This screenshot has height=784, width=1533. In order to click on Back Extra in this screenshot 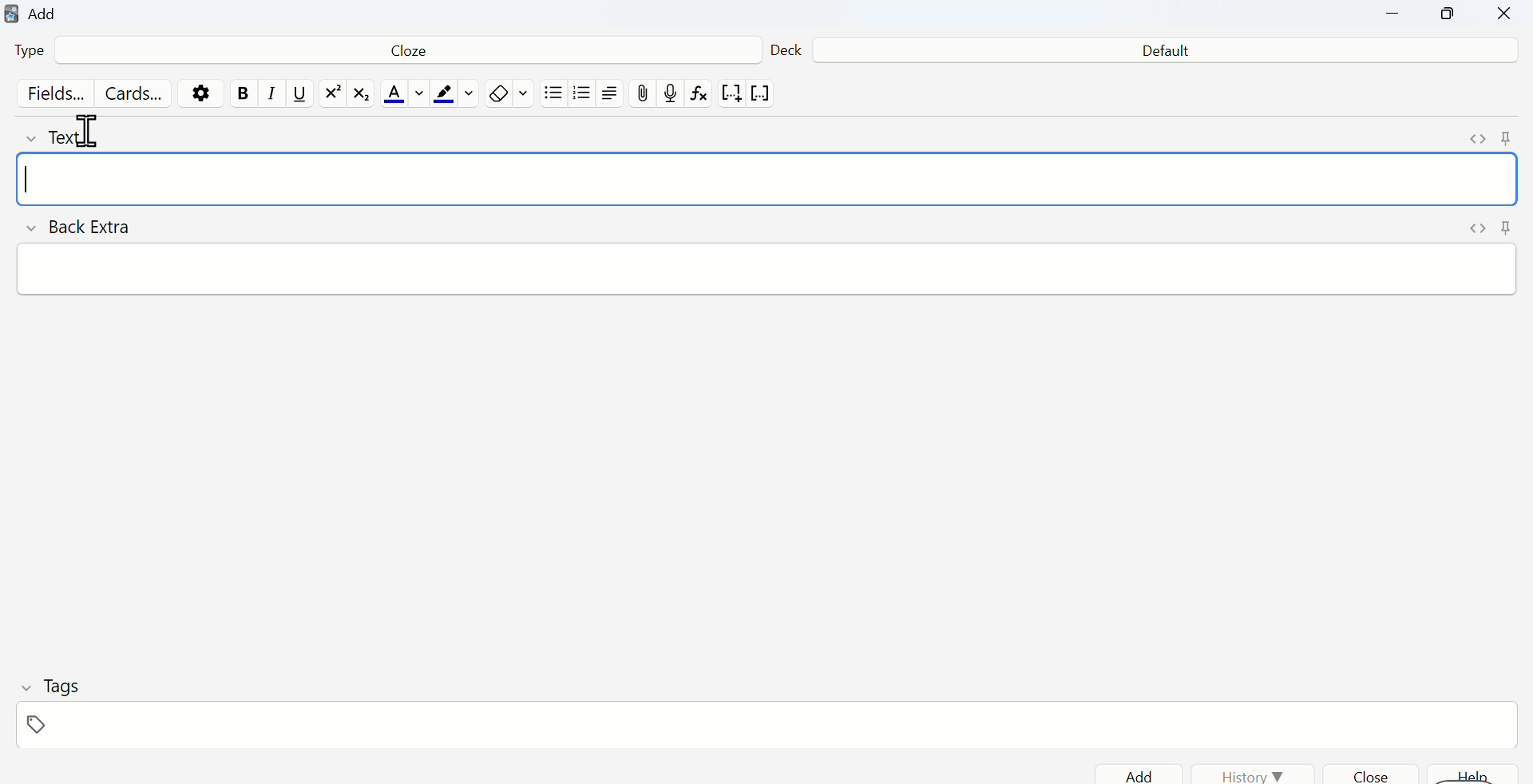, I will do `click(87, 228)`.